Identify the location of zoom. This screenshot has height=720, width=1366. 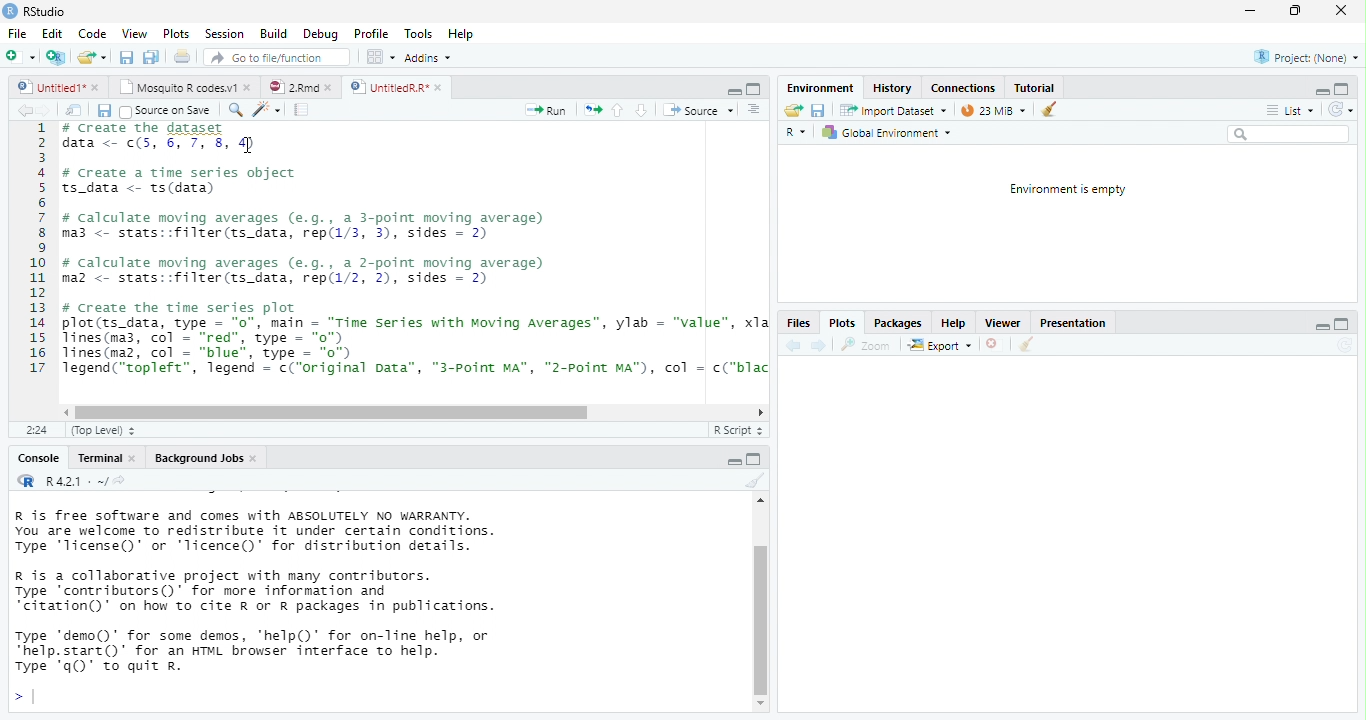
(869, 345).